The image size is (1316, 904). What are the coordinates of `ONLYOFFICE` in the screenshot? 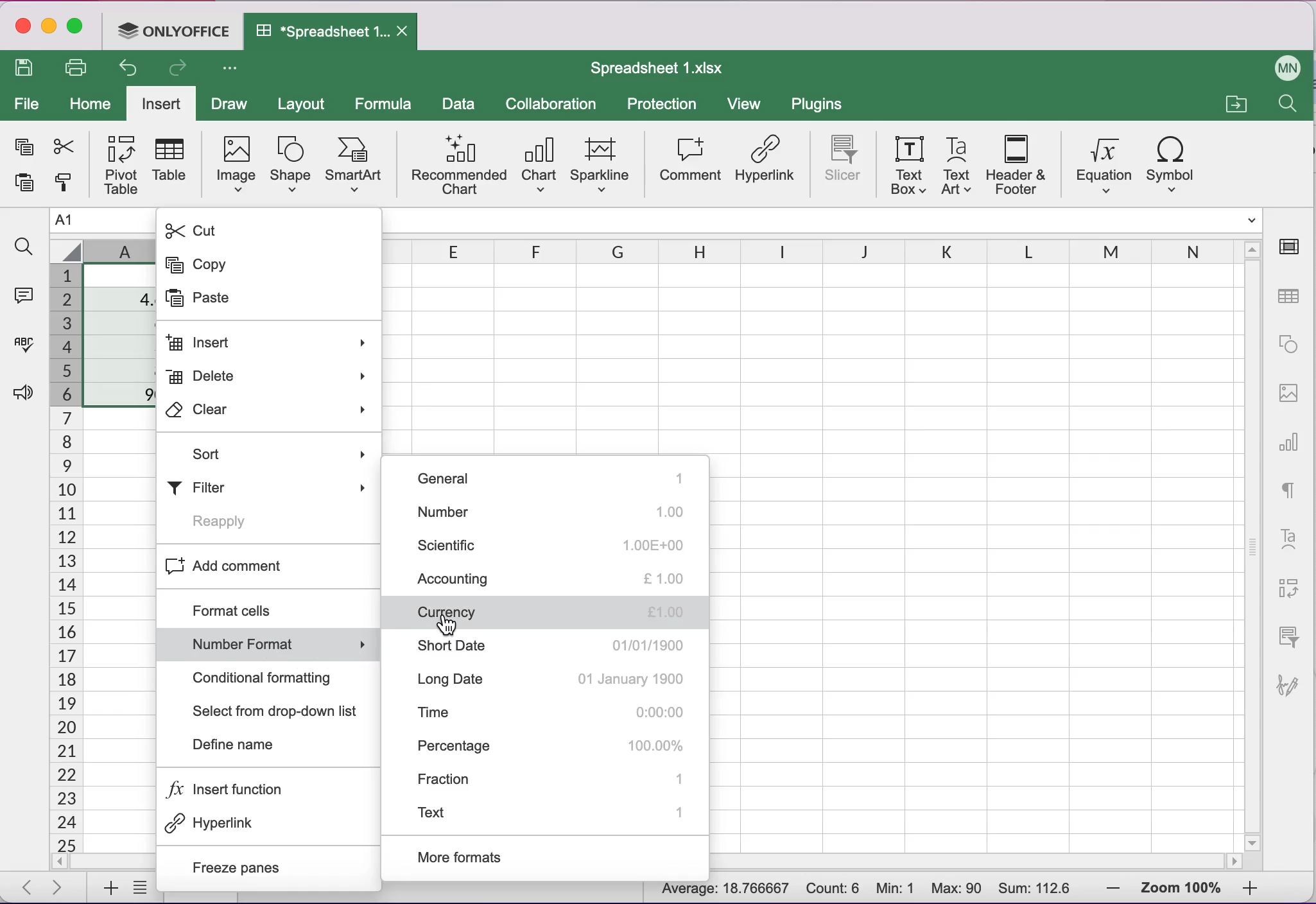 It's located at (175, 31).